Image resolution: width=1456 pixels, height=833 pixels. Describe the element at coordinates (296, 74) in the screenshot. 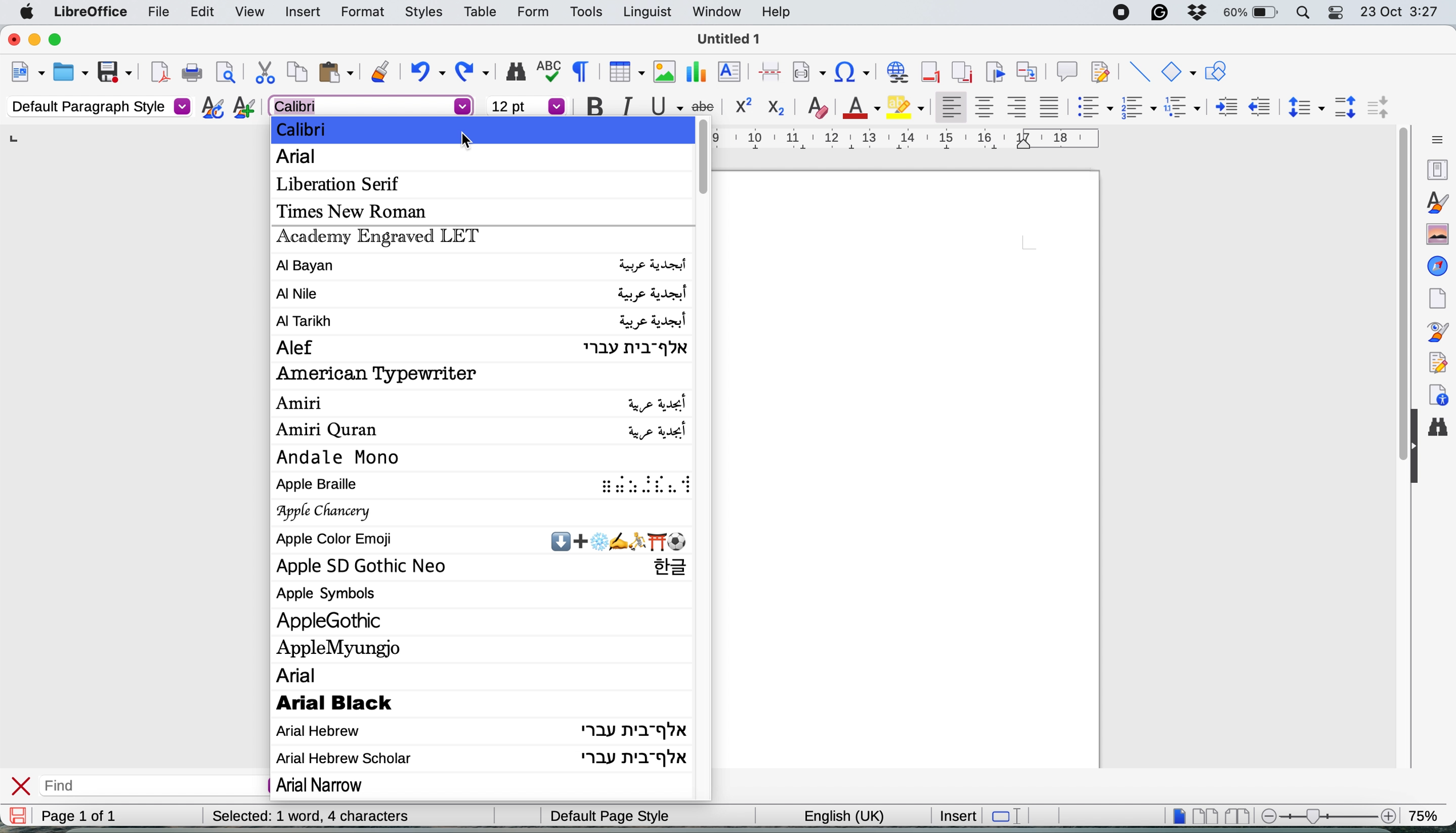

I see `copy` at that location.